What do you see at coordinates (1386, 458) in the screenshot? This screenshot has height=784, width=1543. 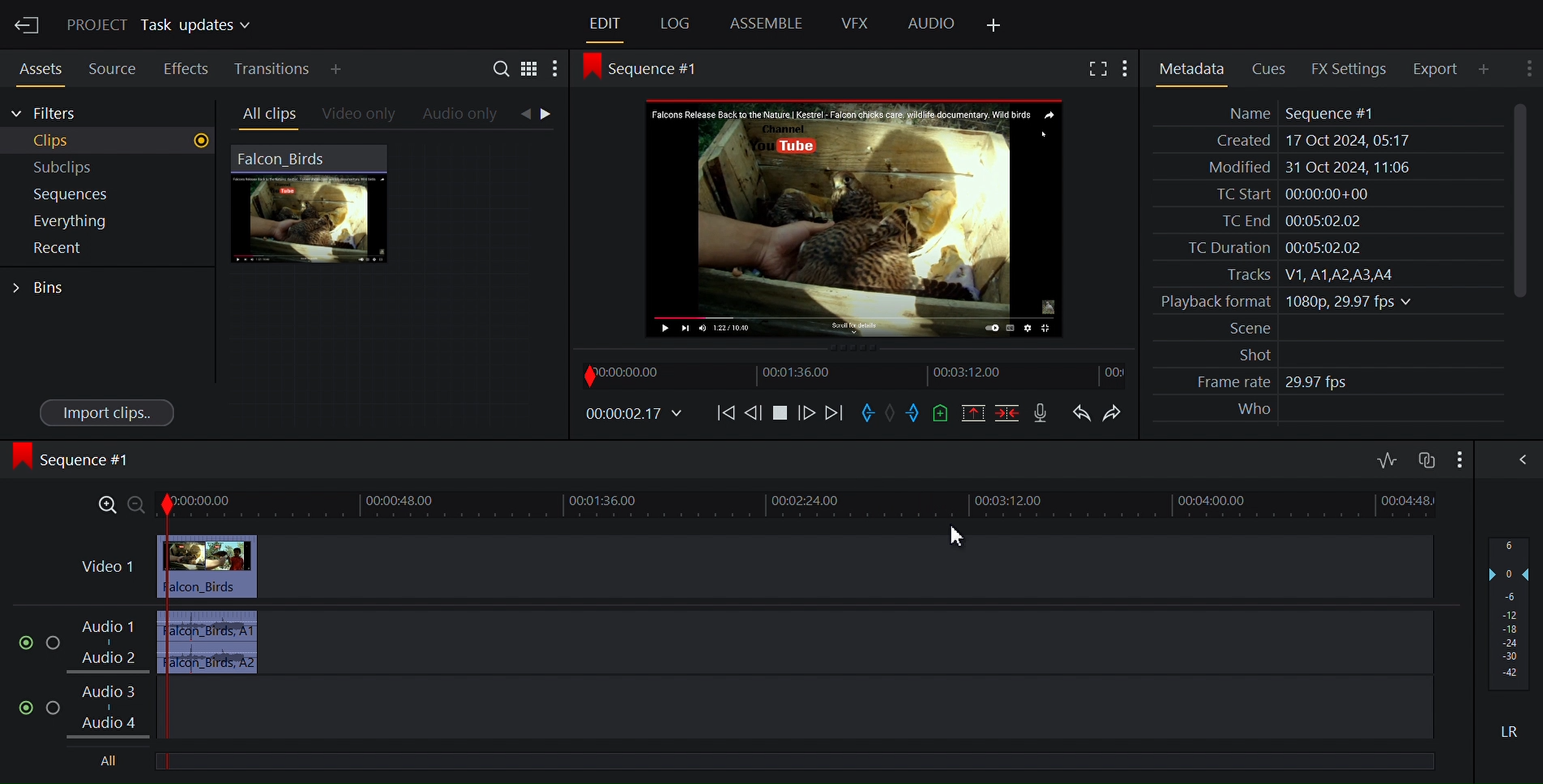 I see `Toggle audio editing levels` at bounding box center [1386, 458].